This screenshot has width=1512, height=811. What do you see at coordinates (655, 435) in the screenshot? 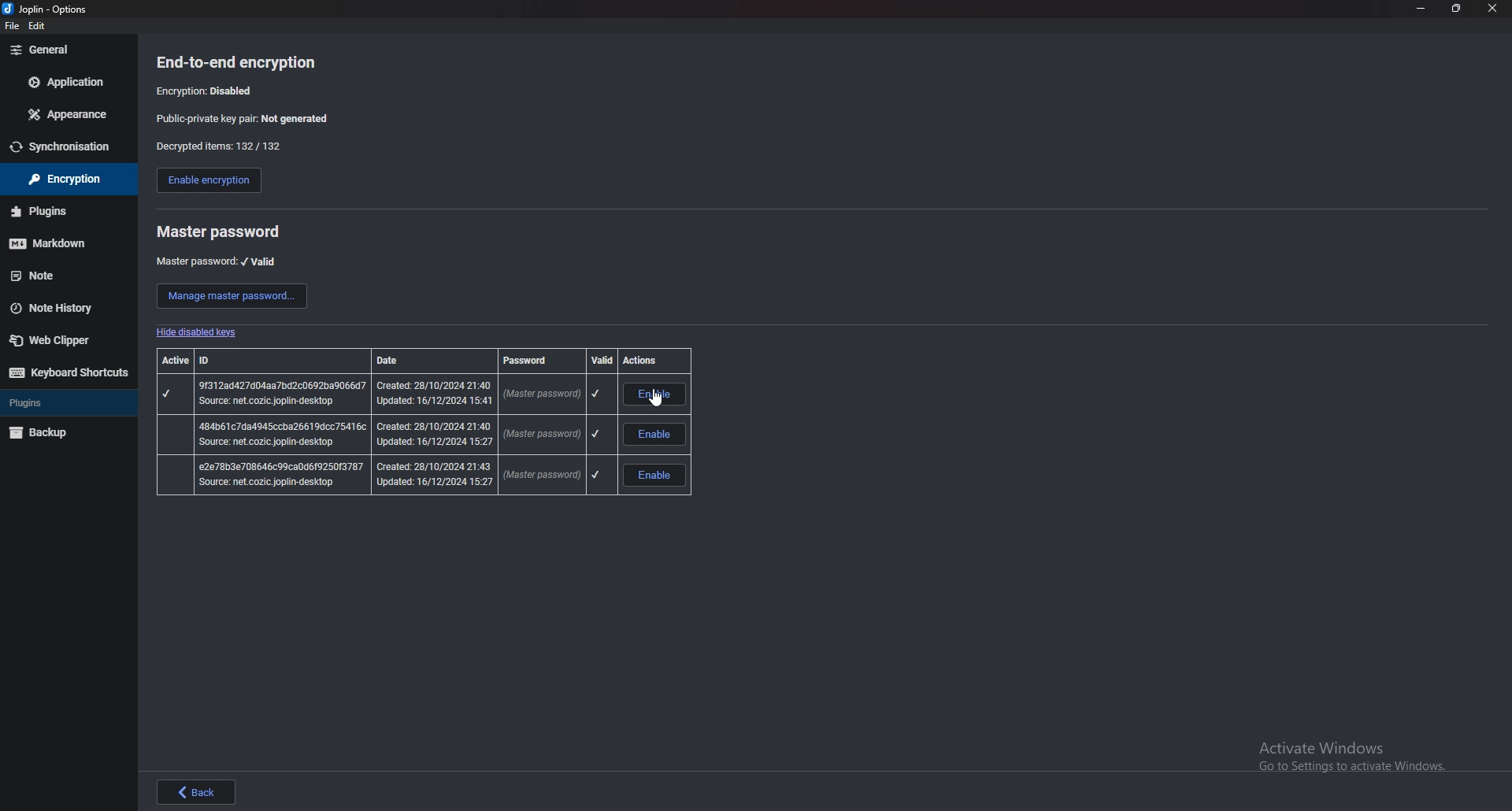
I see `enable` at bounding box center [655, 435].